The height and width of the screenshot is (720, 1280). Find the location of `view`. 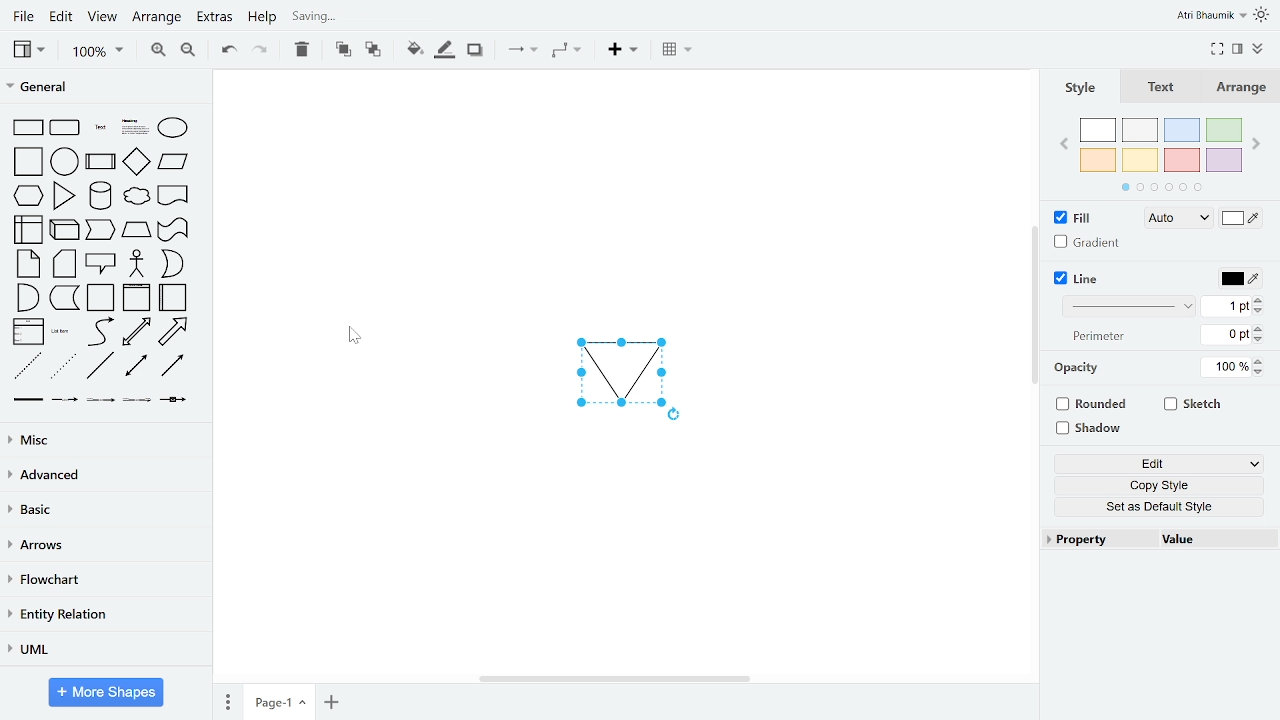

view is located at coordinates (104, 17).